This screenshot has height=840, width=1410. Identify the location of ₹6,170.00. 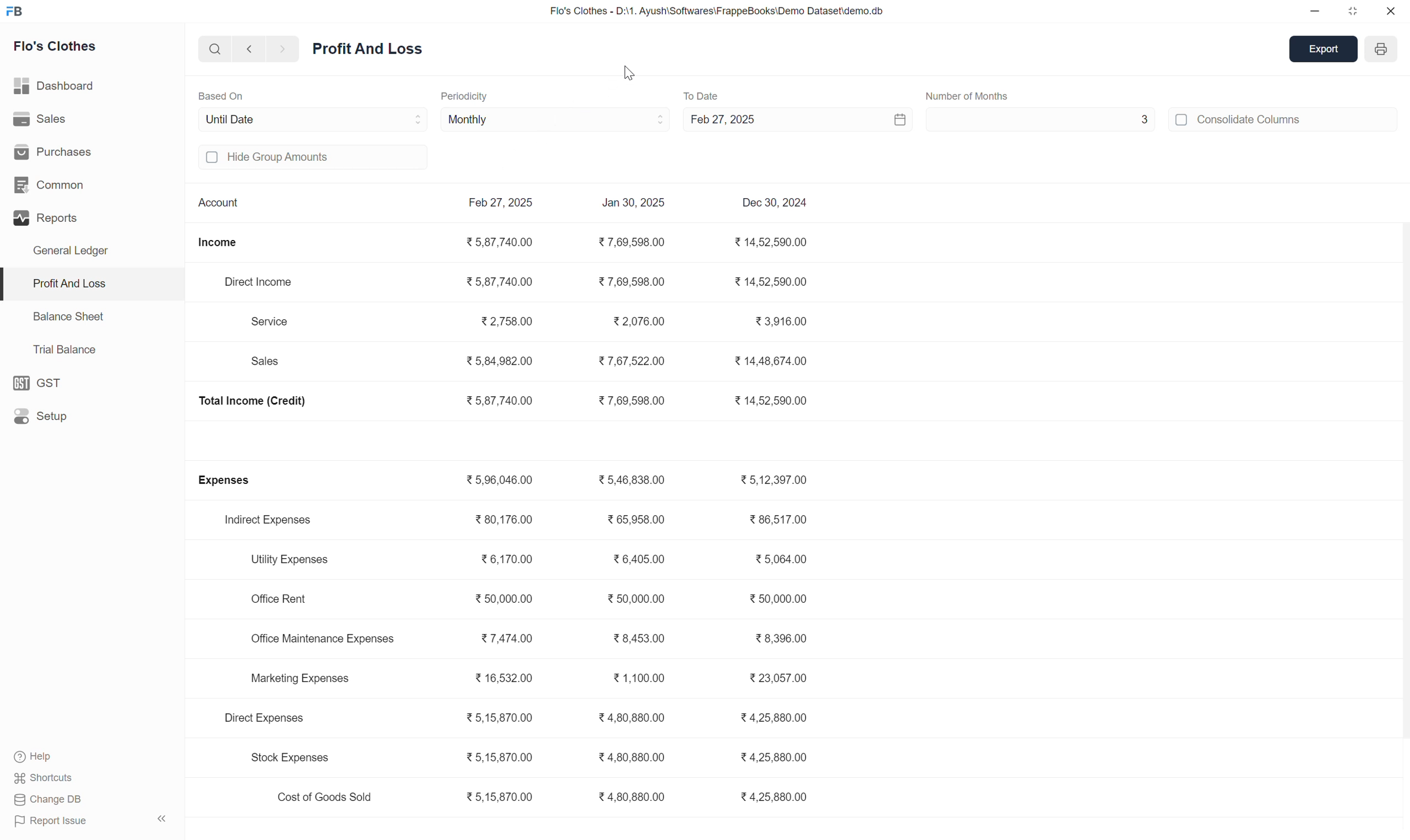
(510, 559).